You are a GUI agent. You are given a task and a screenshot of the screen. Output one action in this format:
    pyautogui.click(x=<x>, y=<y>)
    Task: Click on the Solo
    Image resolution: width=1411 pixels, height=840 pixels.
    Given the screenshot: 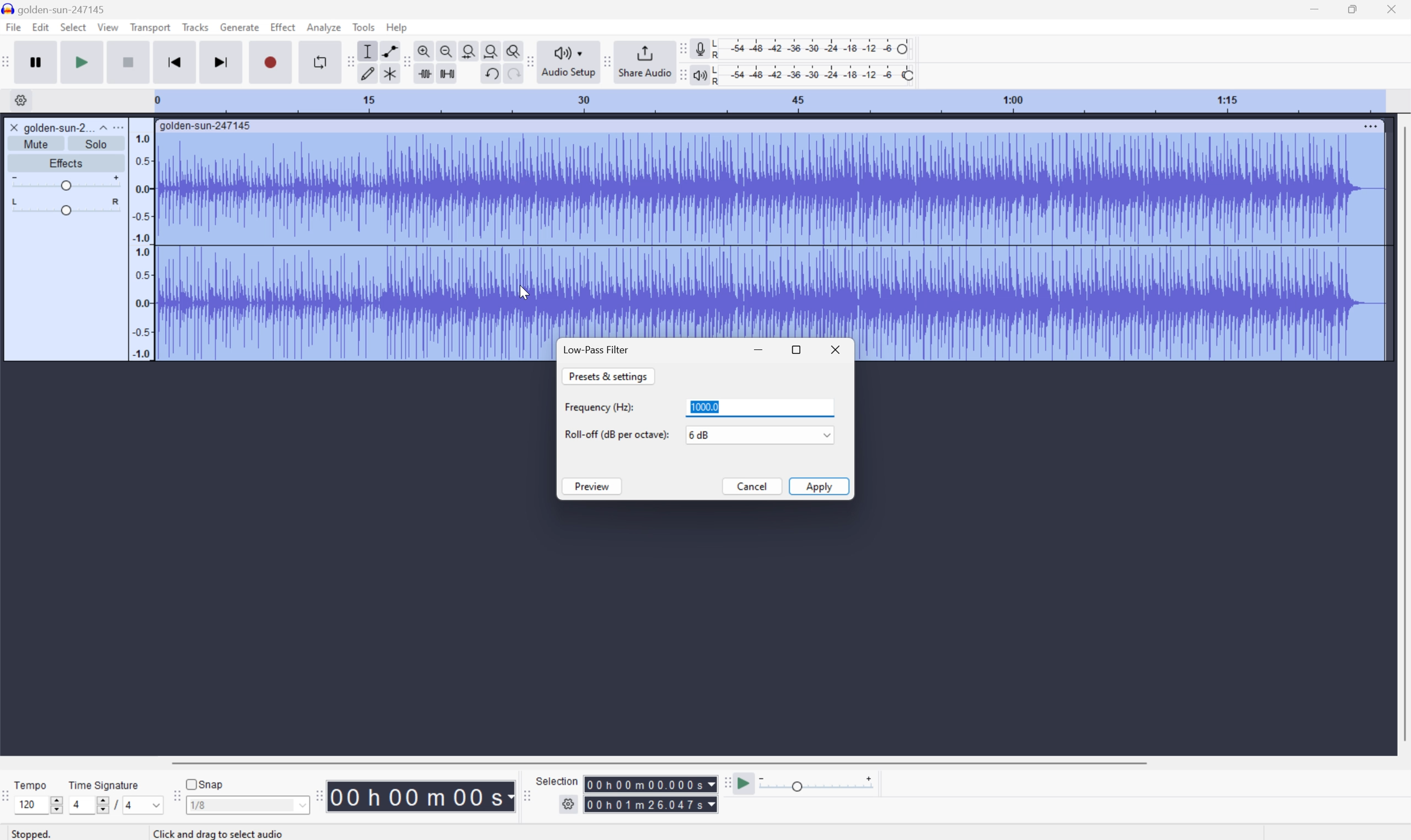 What is the action you would take?
    pyautogui.click(x=96, y=144)
    